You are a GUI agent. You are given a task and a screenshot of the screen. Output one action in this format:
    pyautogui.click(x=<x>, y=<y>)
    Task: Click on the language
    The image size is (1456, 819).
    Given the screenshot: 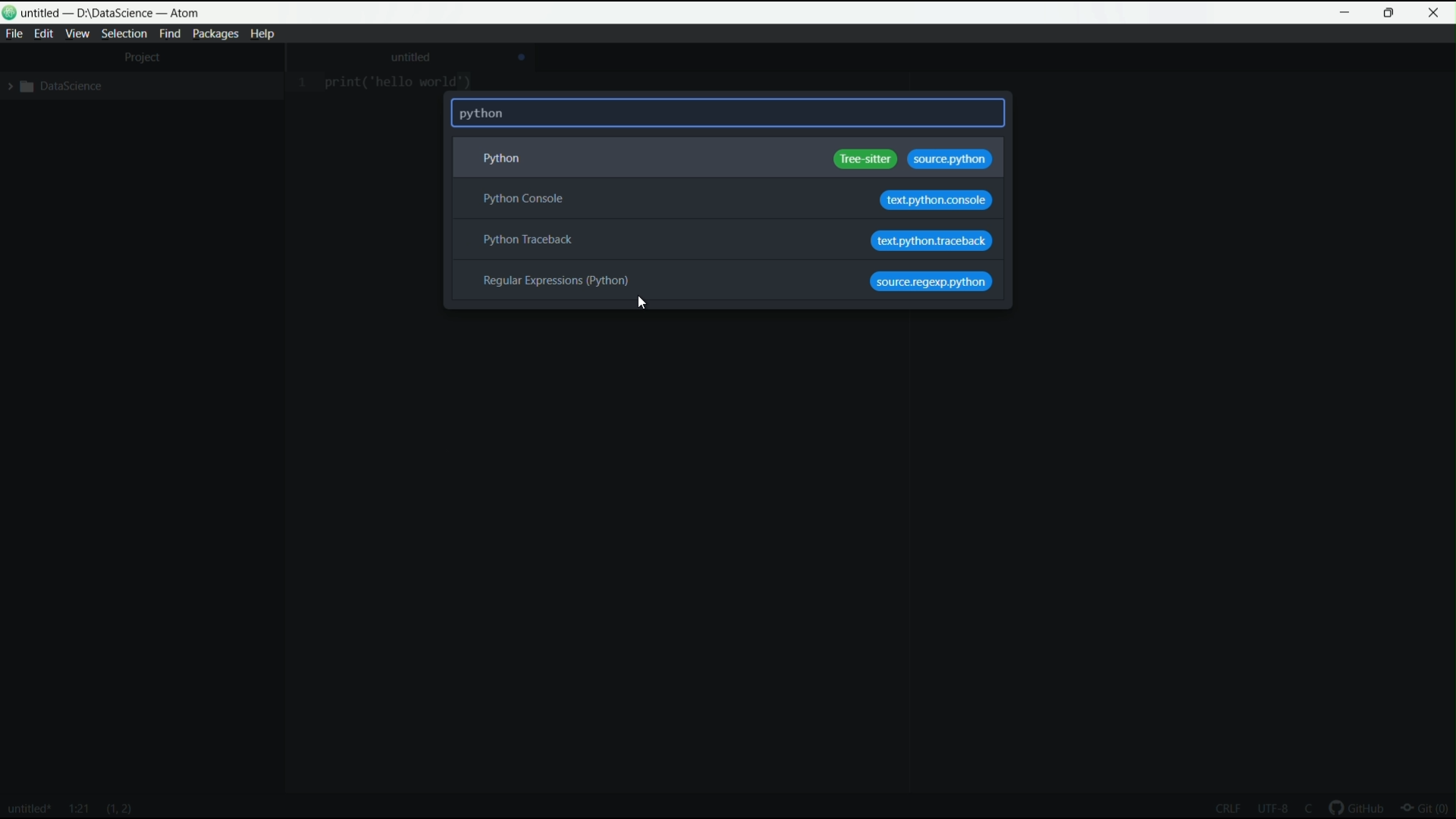 What is the action you would take?
    pyautogui.click(x=1307, y=808)
    